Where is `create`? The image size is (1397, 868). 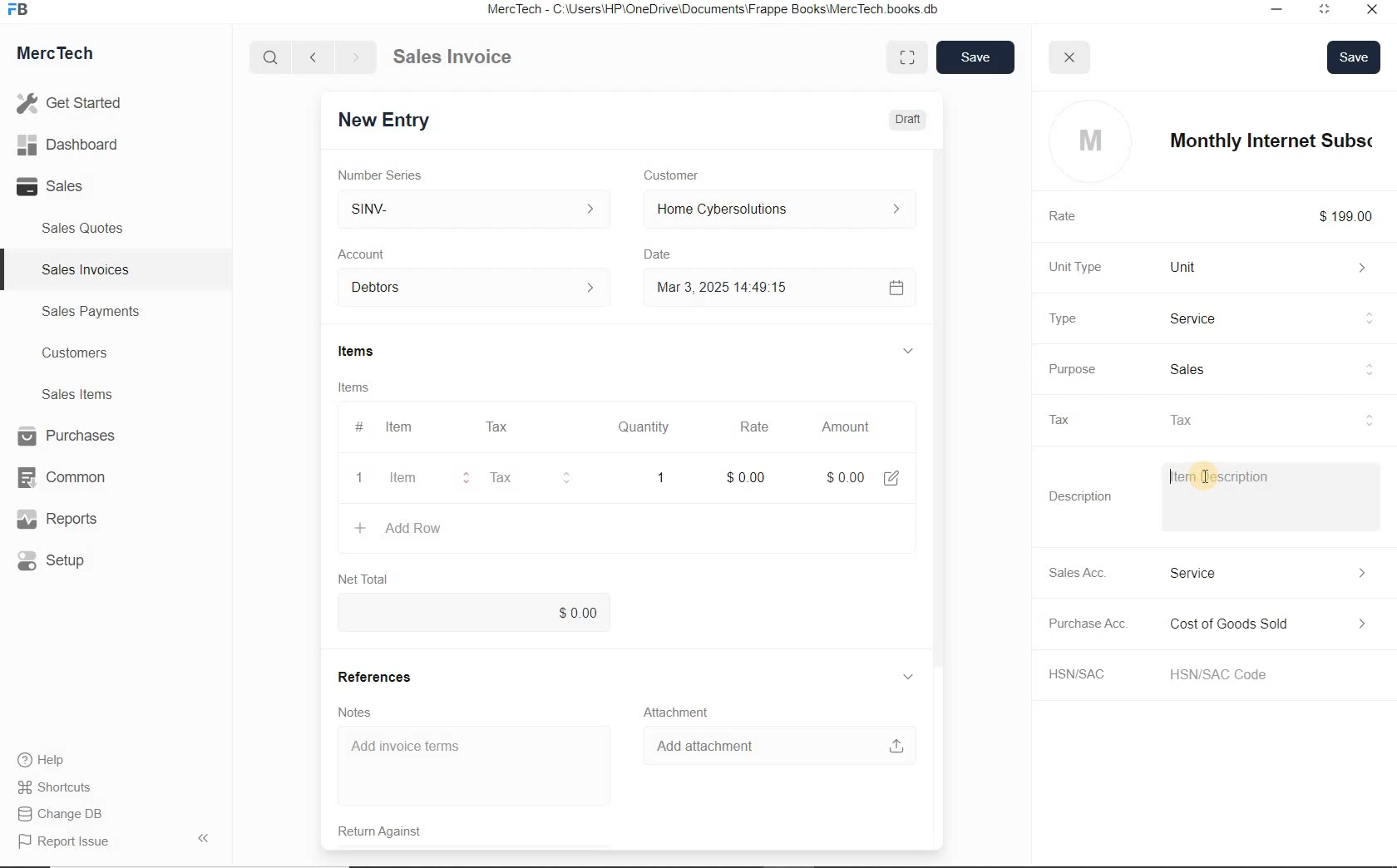 create is located at coordinates (353, 528).